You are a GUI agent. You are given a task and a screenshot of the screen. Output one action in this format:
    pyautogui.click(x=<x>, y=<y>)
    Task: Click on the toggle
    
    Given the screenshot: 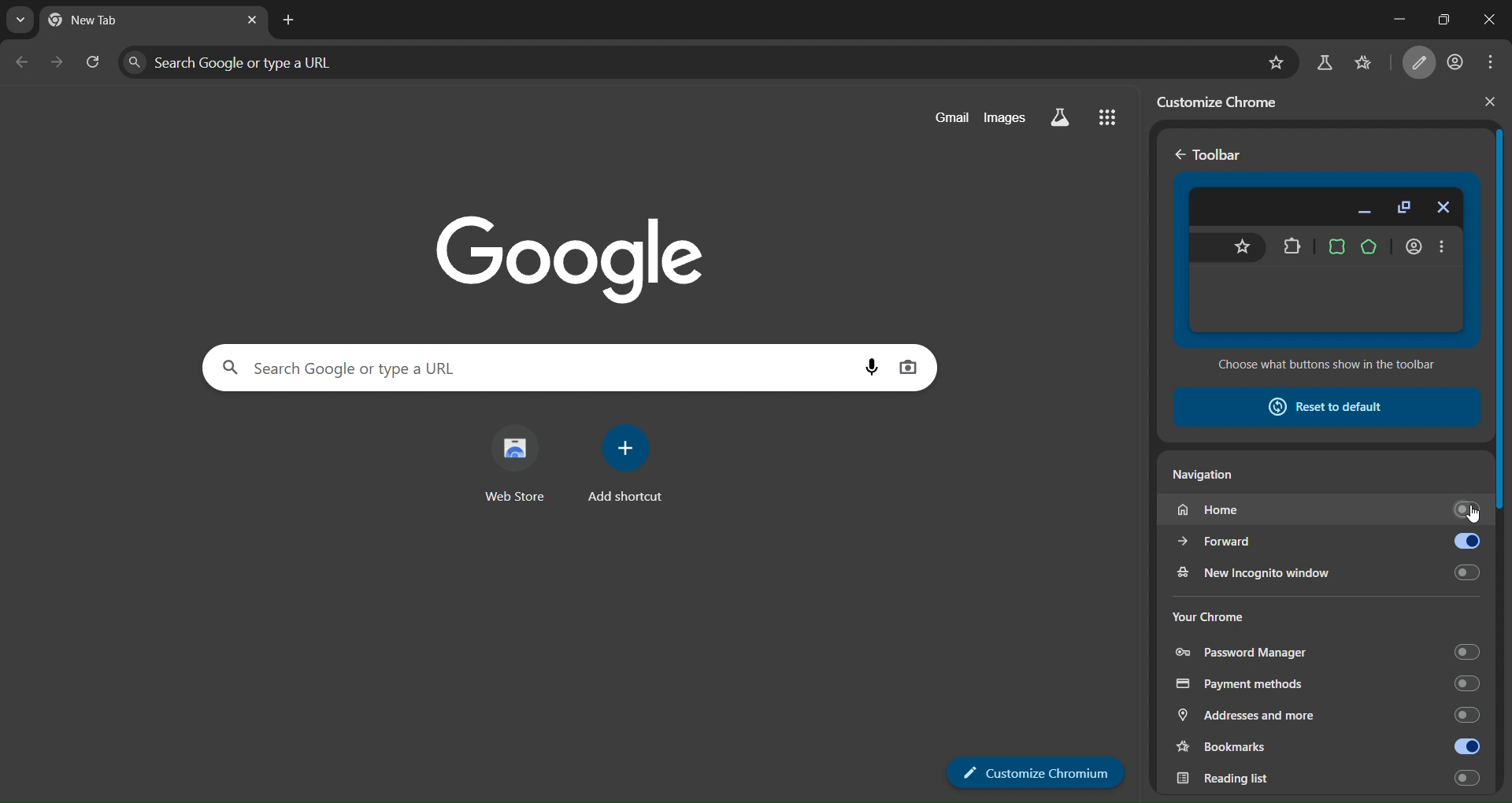 What is the action you would take?
    pyautogui.click(x=1459, y=542)
    